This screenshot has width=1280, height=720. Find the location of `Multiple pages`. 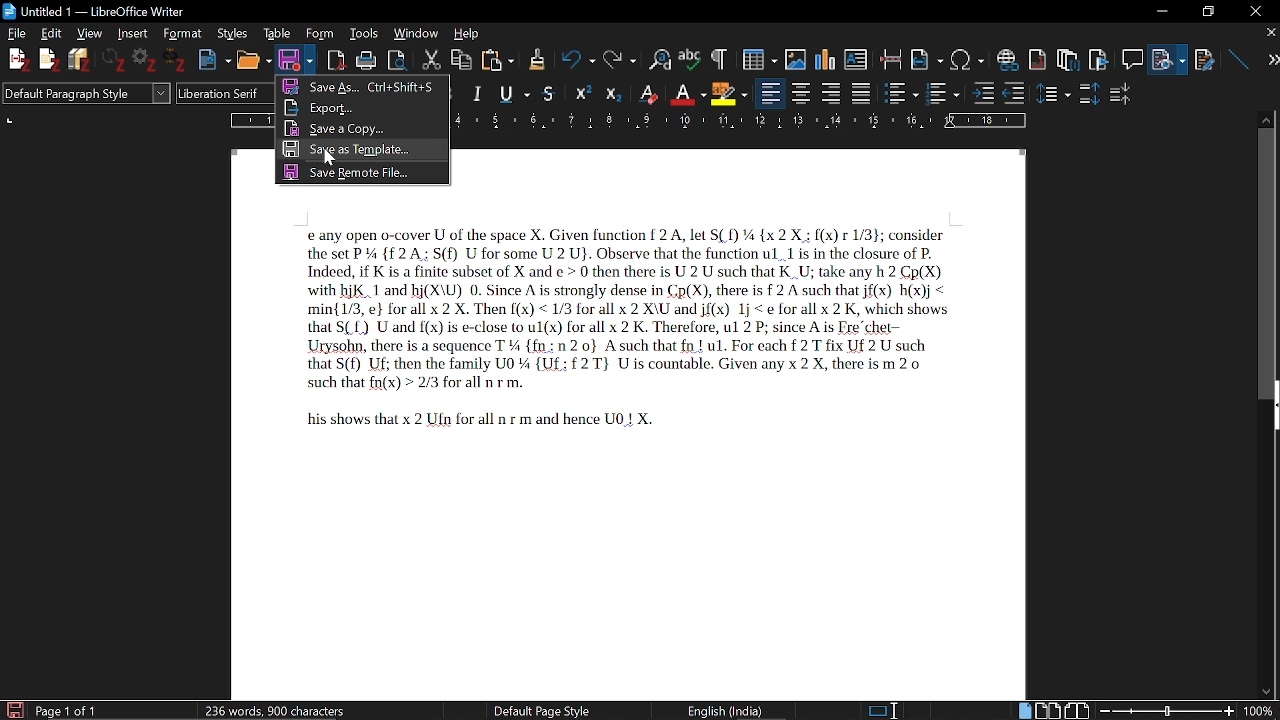

Multiple pages is located at coordinates (1051, 709).